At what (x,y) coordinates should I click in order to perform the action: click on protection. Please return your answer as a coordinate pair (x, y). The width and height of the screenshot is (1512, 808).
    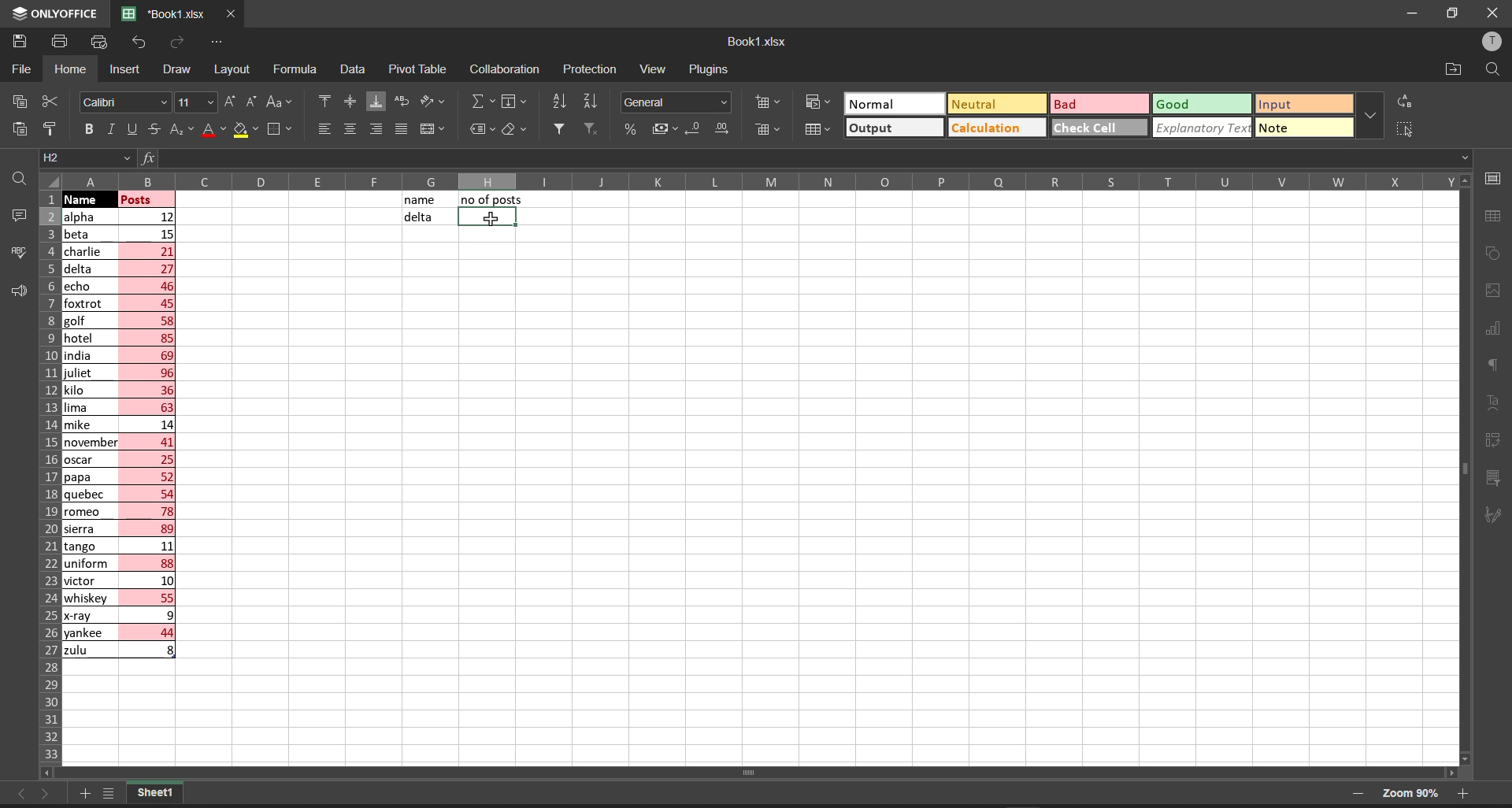
    Looking at the image, I should click on (594, 69).